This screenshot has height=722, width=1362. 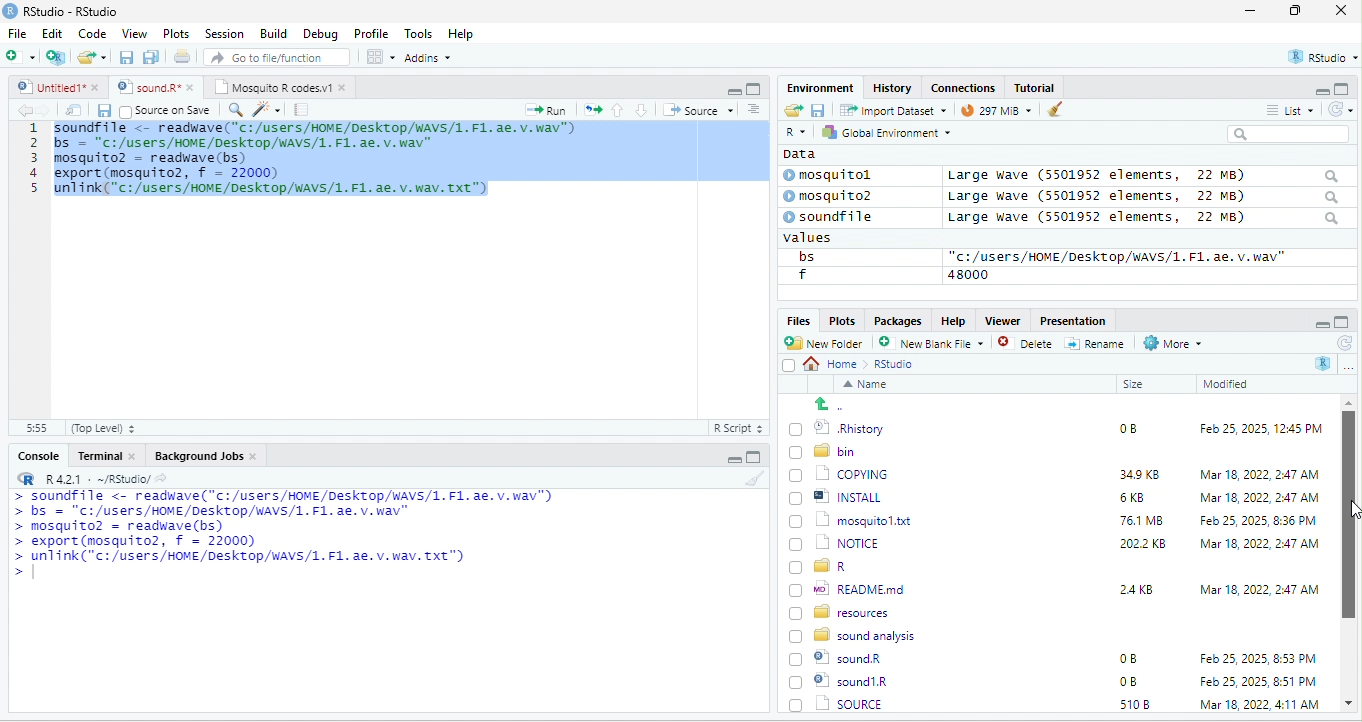 I want to click on Tools, so click(x=419, y=33).